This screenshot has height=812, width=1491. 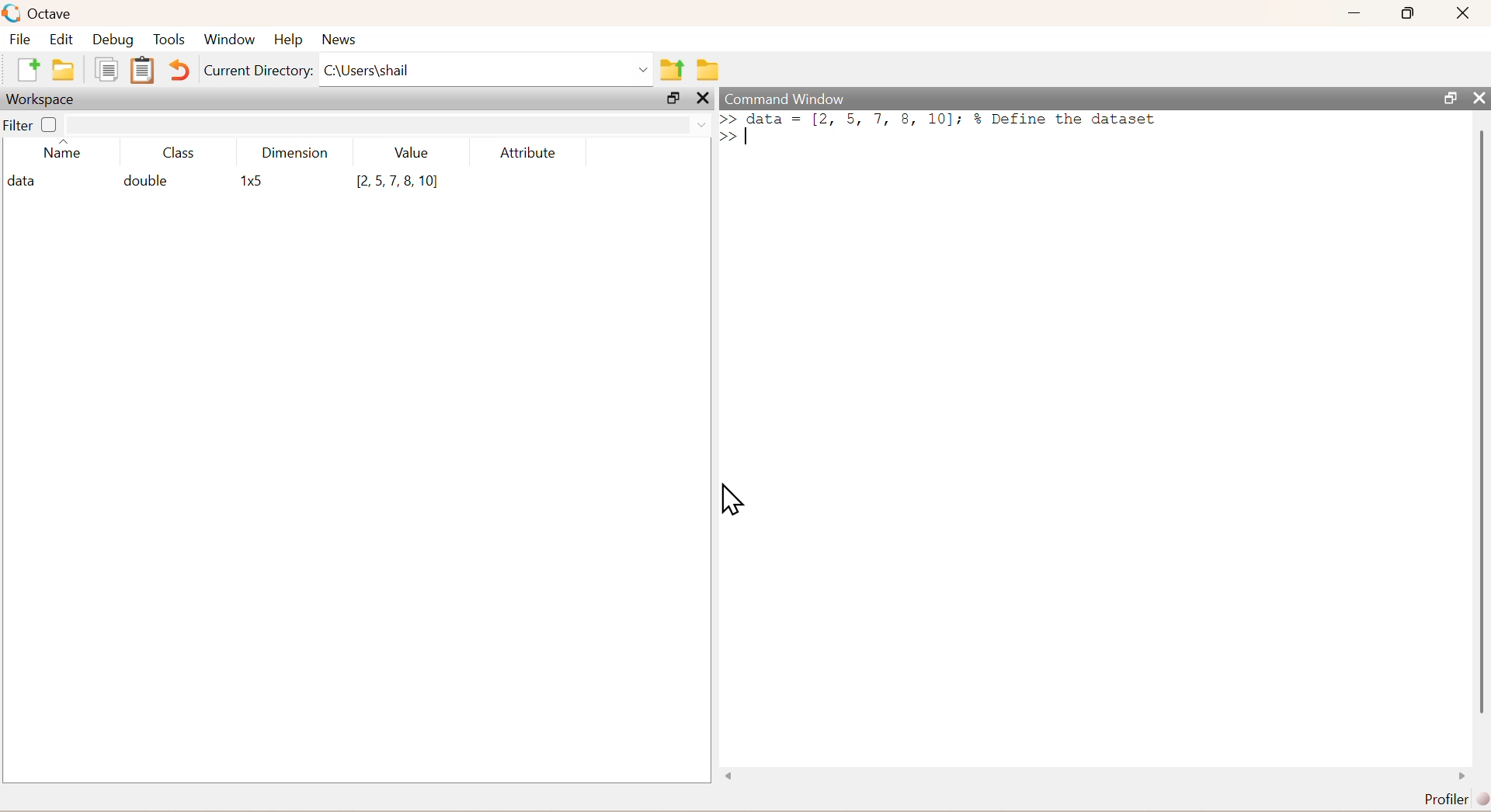 I want to click on folder, so click(x=64, y=70).